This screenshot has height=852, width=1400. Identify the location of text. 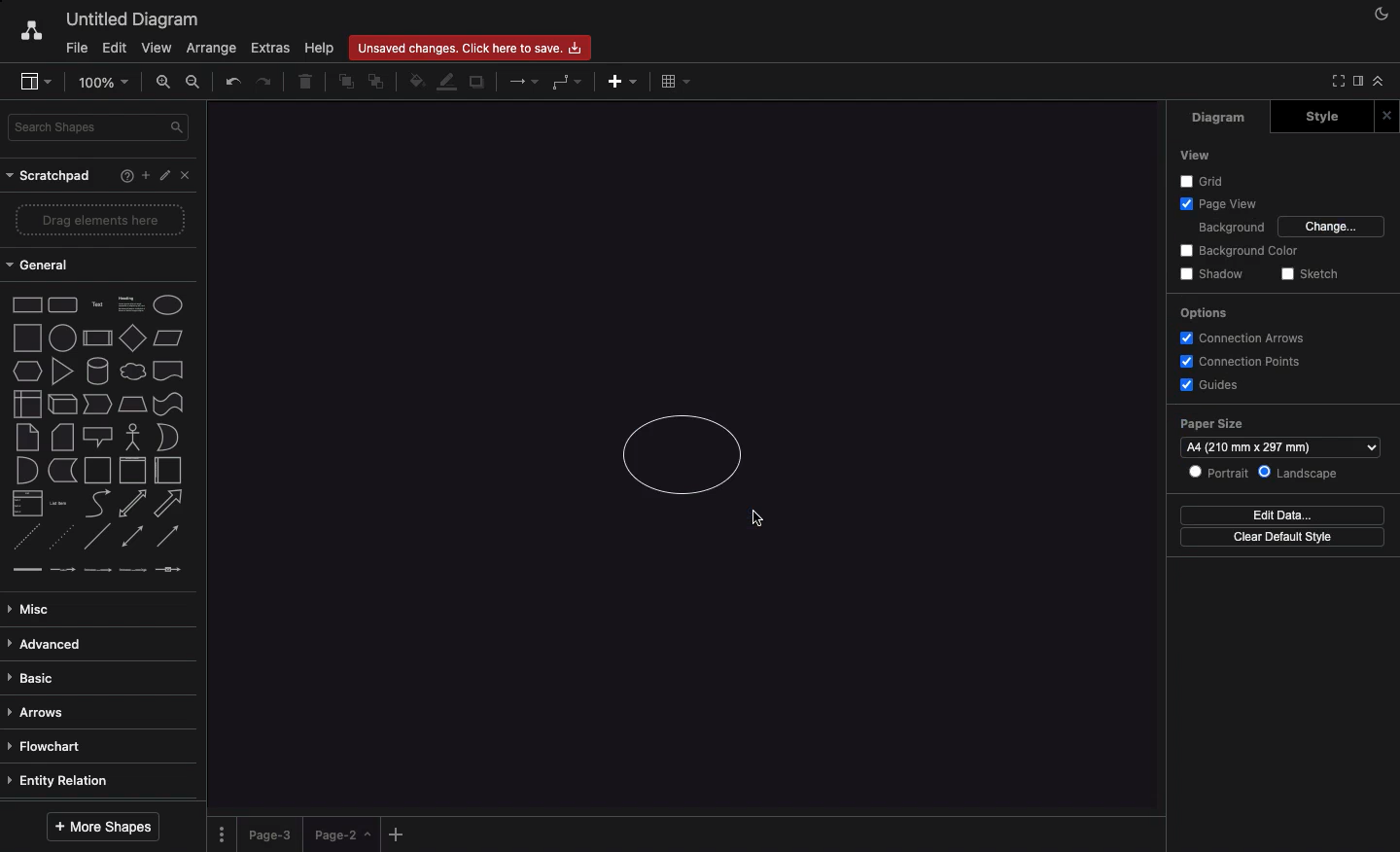
(98, 305).